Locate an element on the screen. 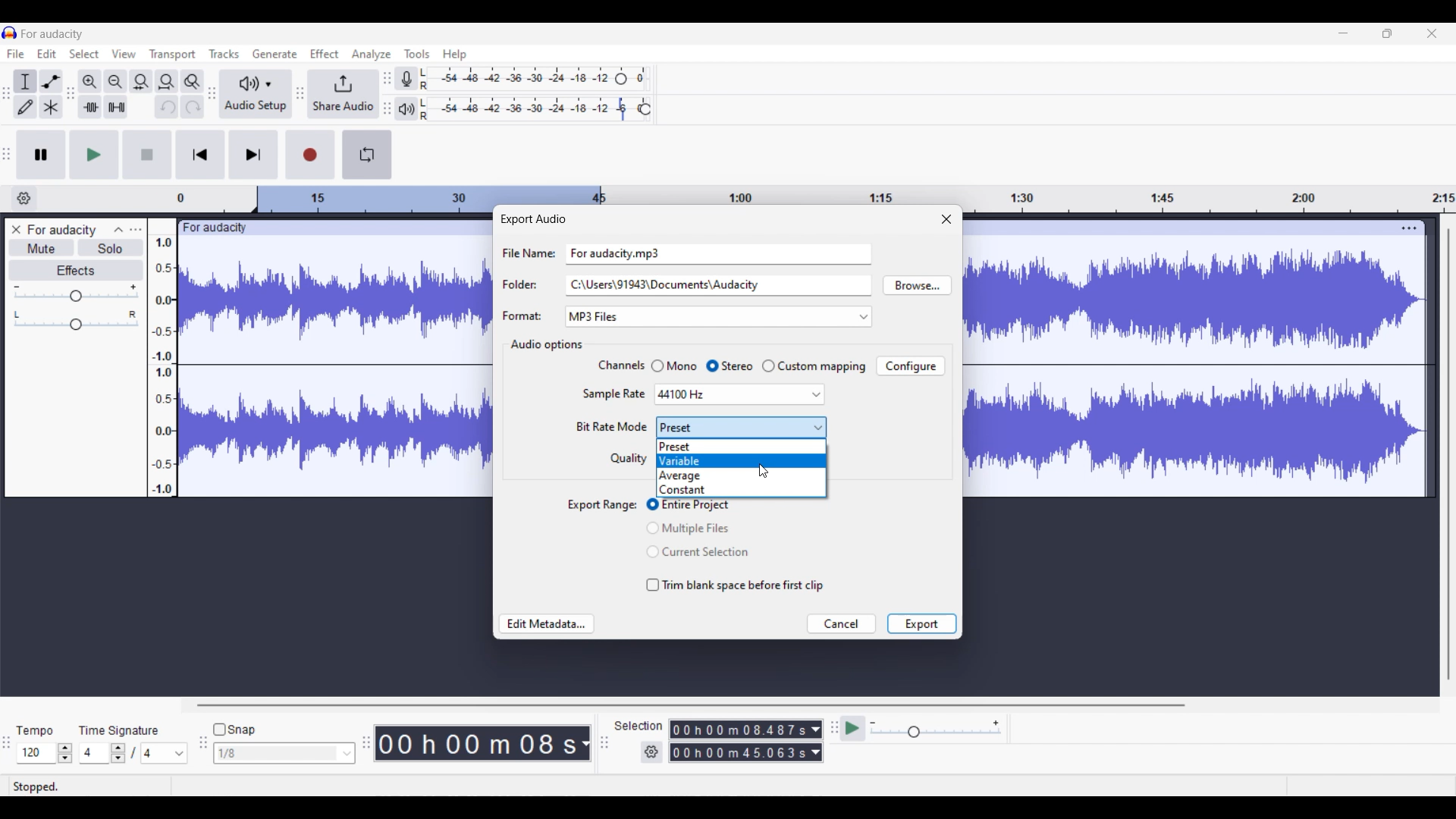 This screenshot has height=819, width=1456. Increase/Decrease number is located at coordinates (118, 753).